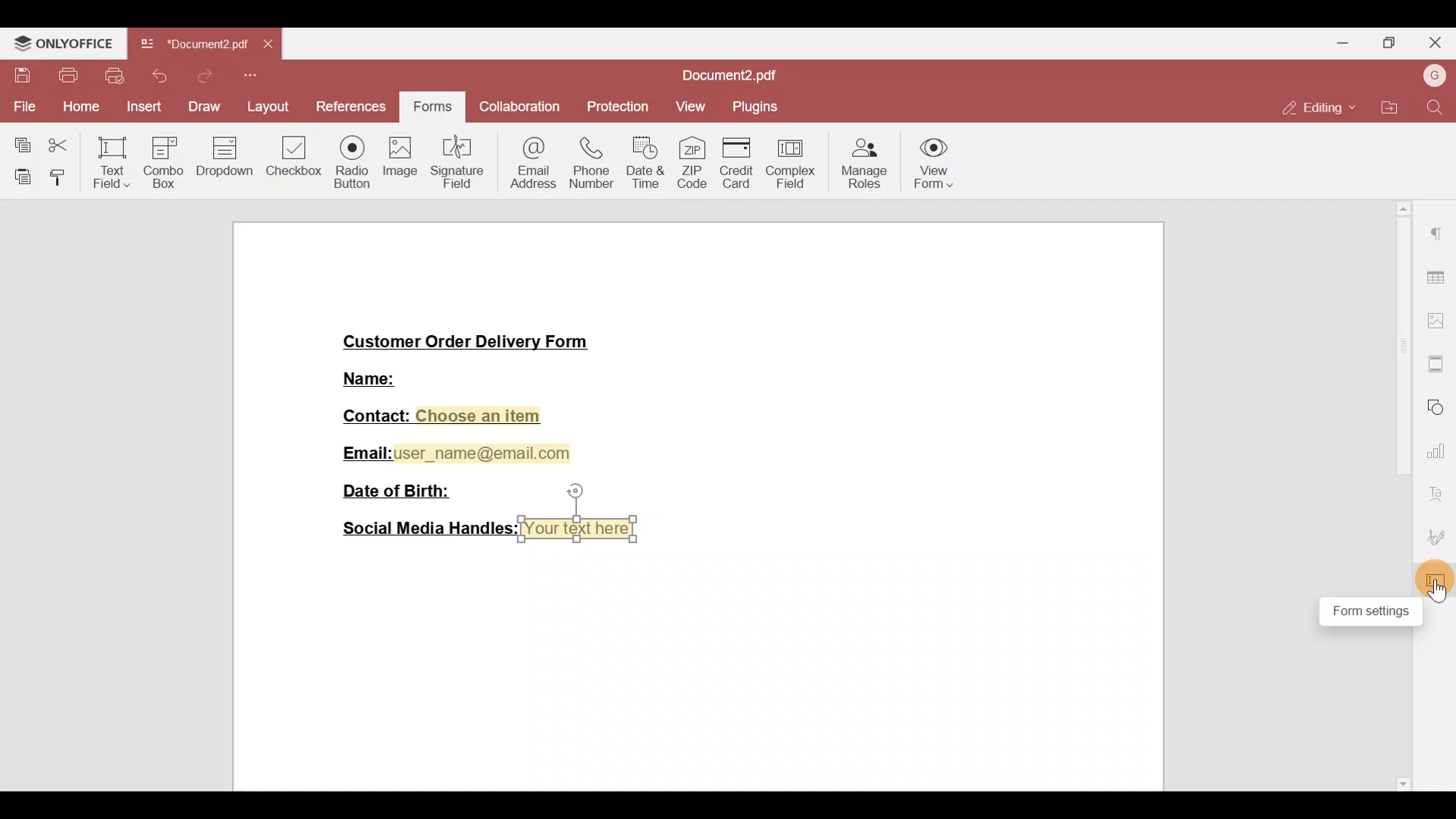 This screenshot has width=1456, height=819. Describe the element at coordinates (17, 177) in the screenshot. I see `Paste` at that location.